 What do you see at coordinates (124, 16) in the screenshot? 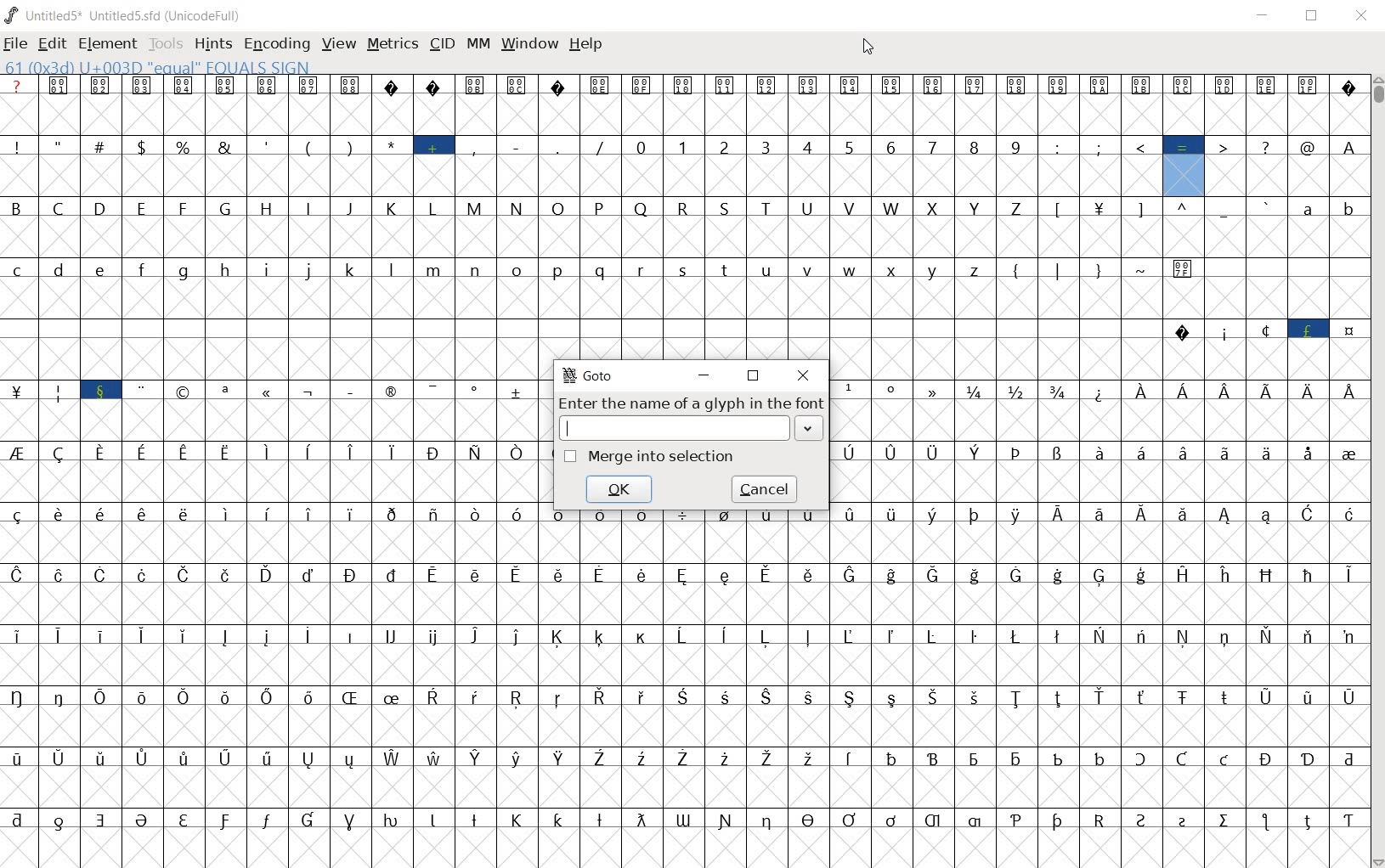
I see `UNTITLED5* uNTITLED5.SFD (UnicodeFull)` at bounding box center [124, 16].